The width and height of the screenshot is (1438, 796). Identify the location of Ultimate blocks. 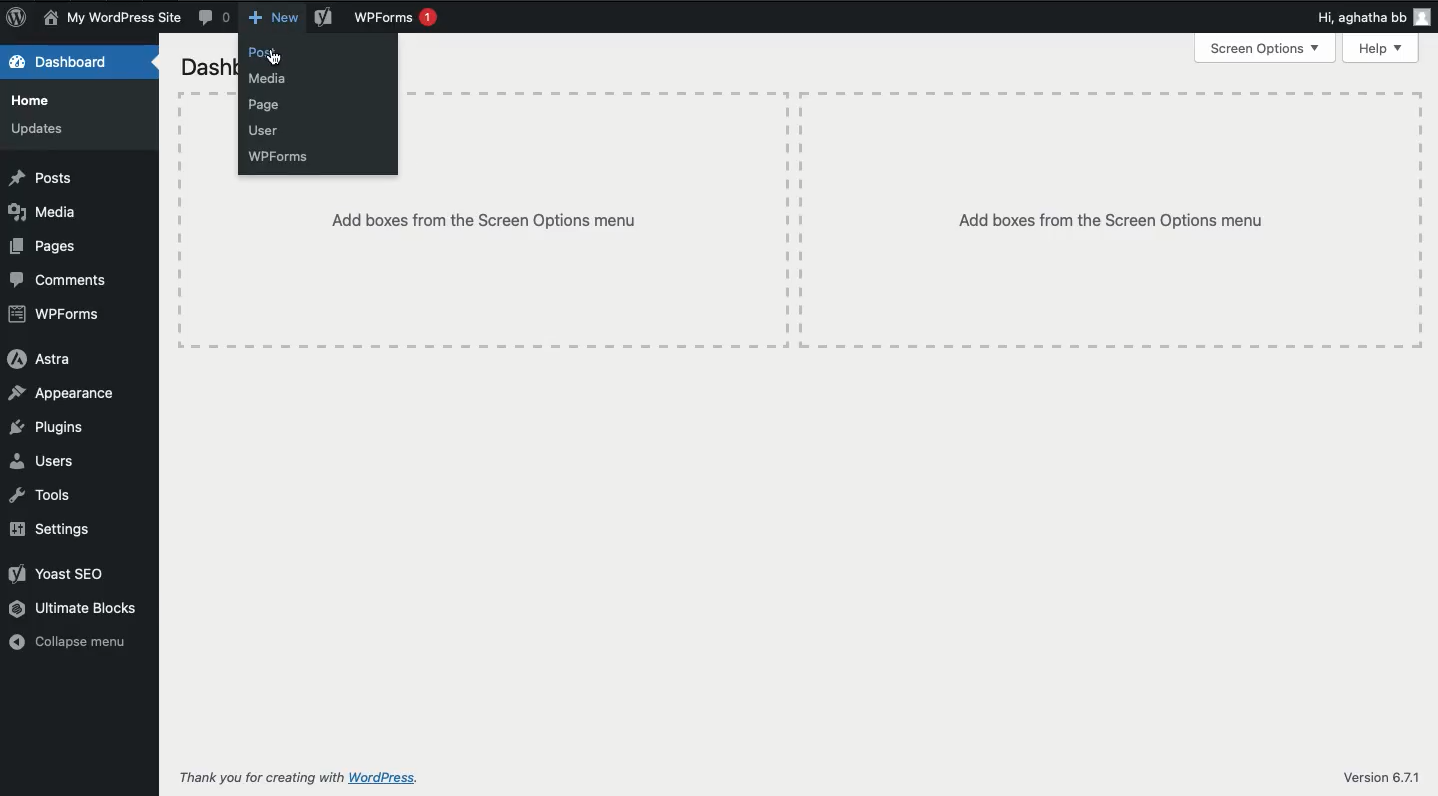
(74, 609).